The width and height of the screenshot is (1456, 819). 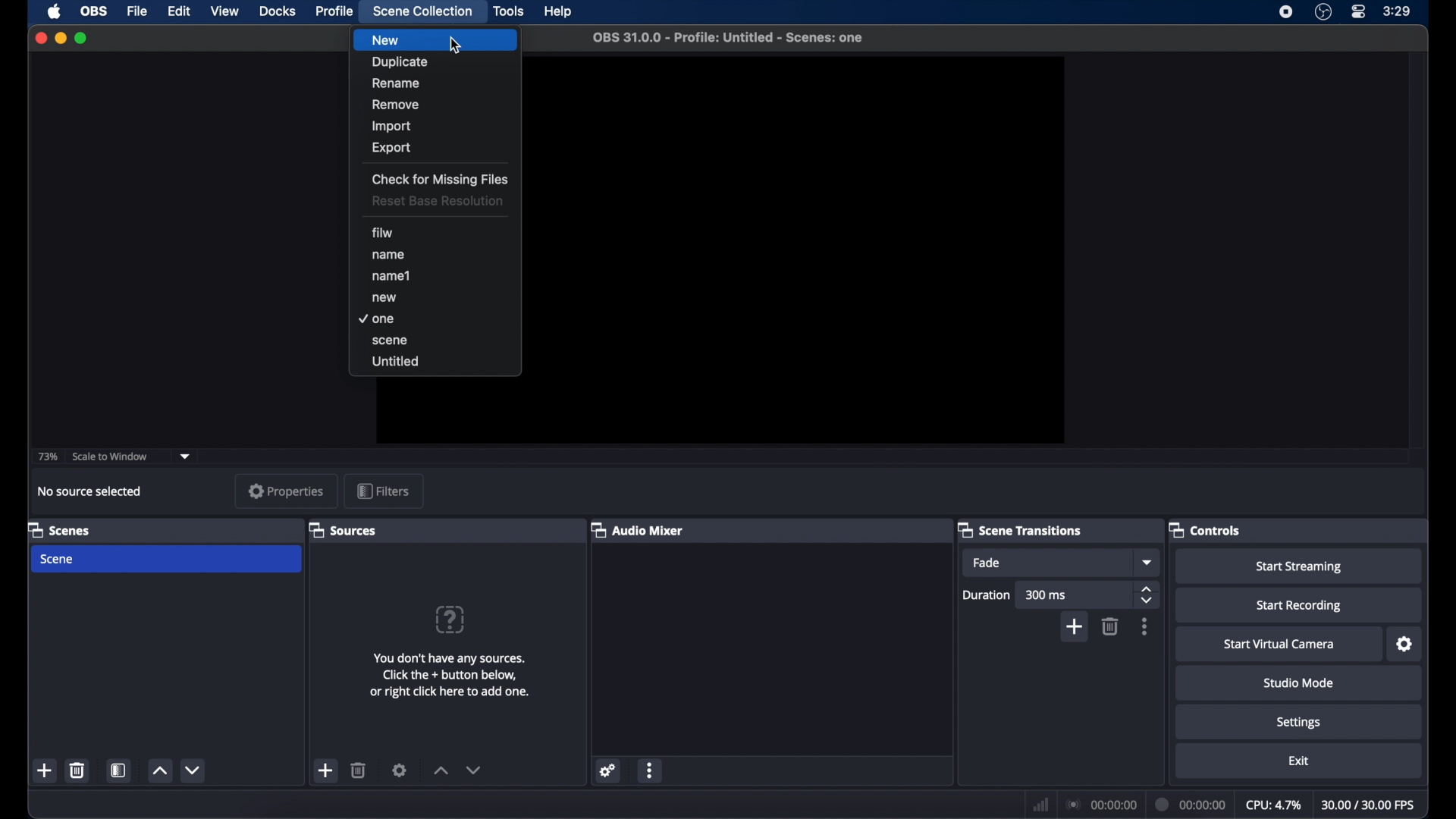 I want to click on no source selected, so click(x=95, y=491).